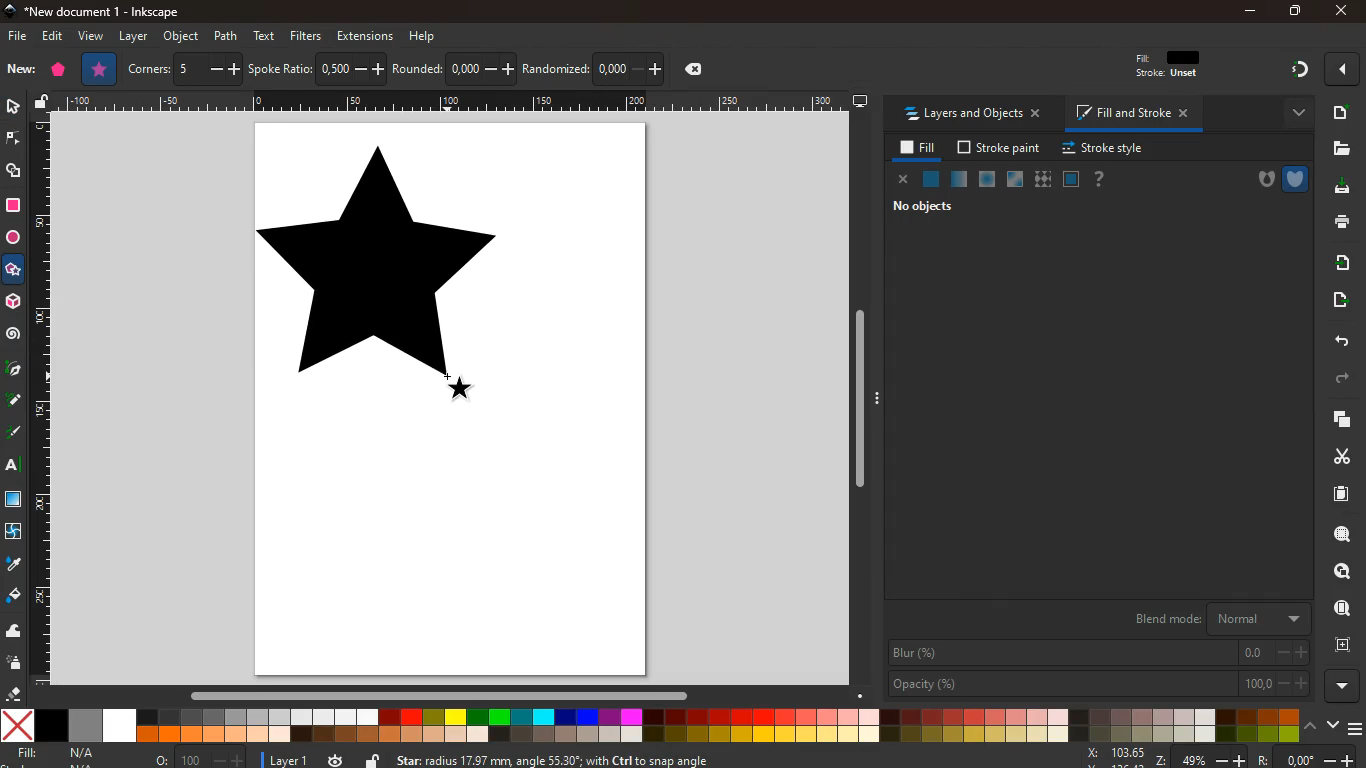  What do you see at coordinates (1297, 179) in the screenshot?
I see `shield` at bounding box center [1297, 179].